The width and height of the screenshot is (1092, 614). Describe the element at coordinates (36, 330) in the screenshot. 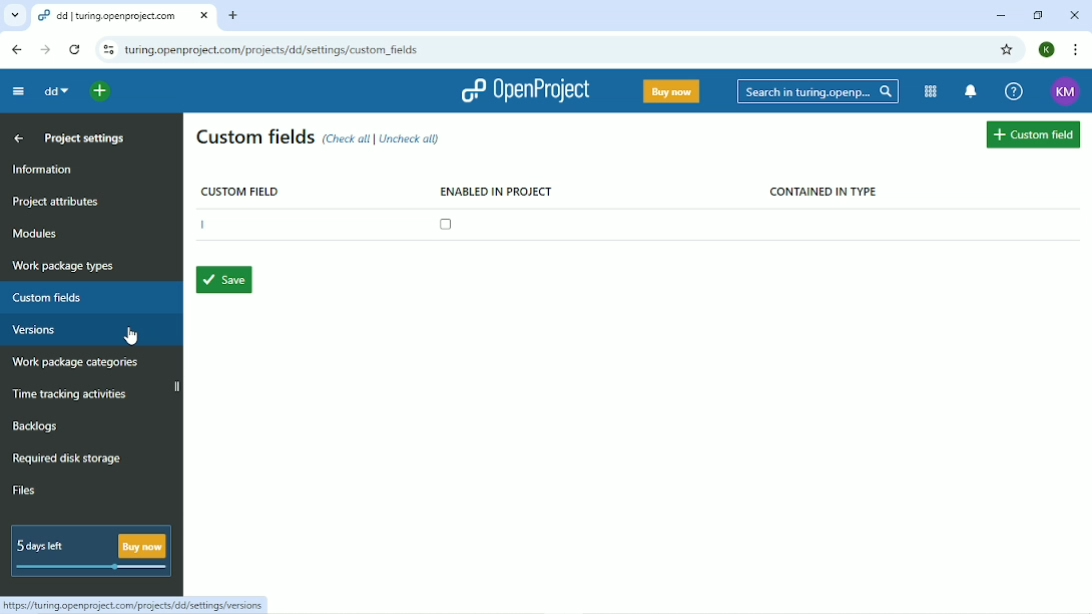

I see `Versions` at that location.